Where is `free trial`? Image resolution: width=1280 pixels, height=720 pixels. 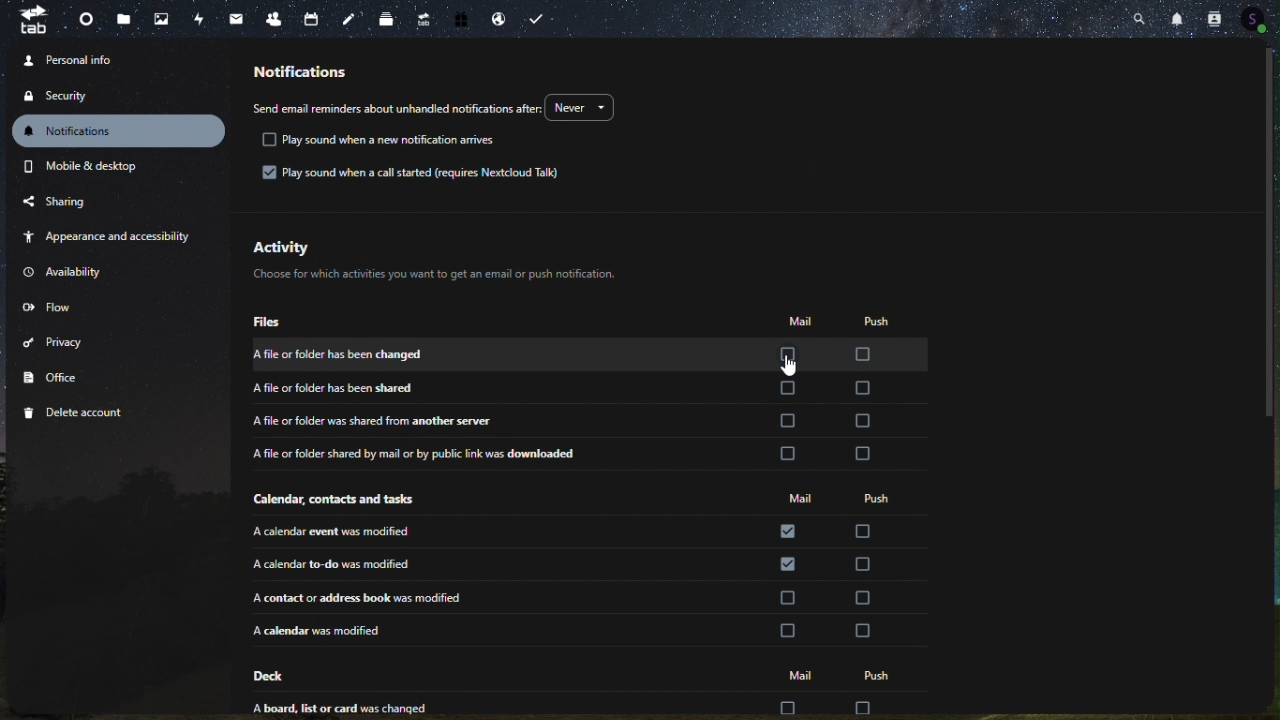 free trial is located at coordinates (461, 19).